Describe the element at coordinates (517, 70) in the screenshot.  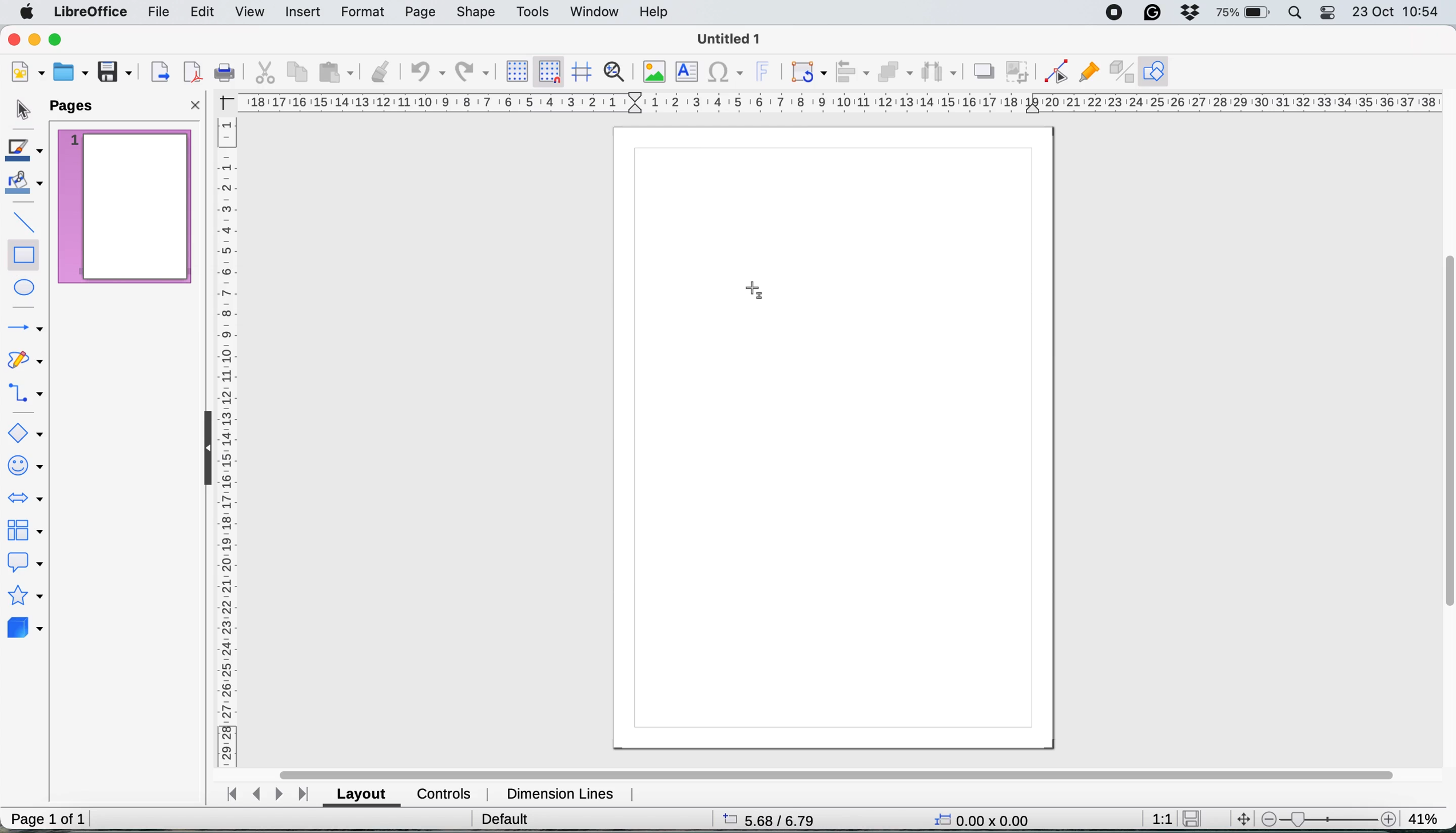
I see `display grid` at that location.